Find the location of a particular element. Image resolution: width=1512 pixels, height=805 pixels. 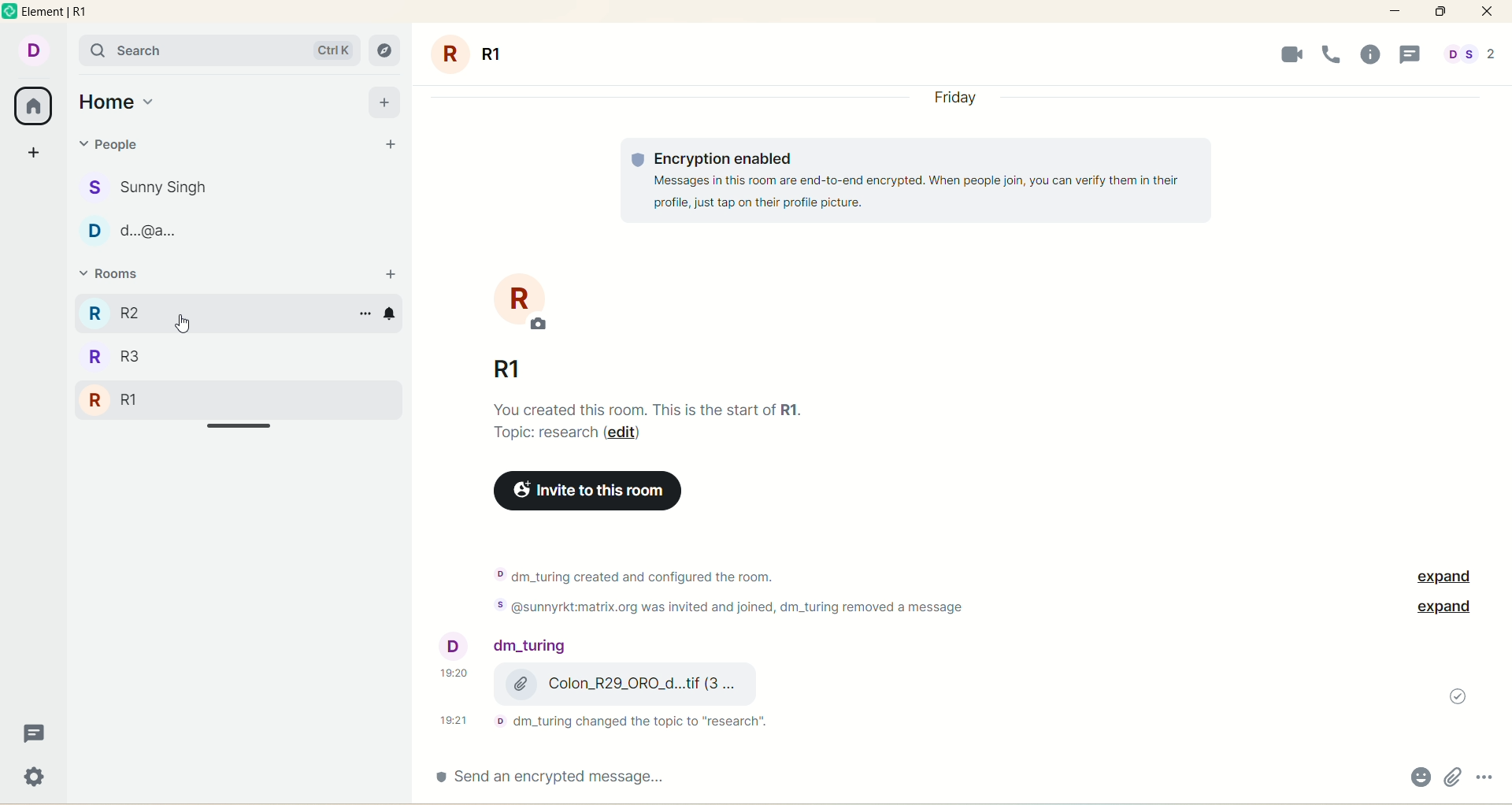

text is located at coordinates (914, 182).